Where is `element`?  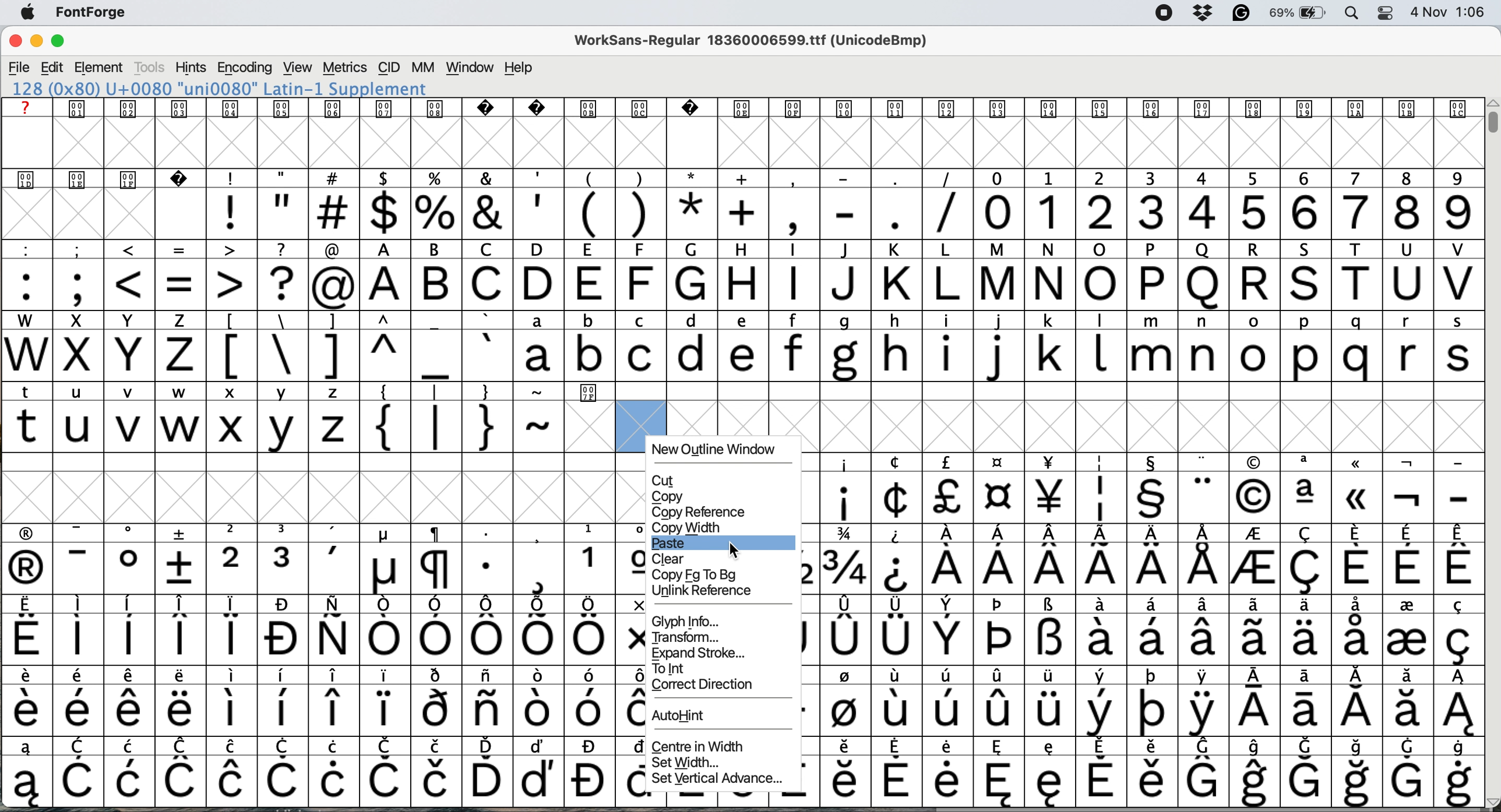 element is located at coordinates (101, 68).